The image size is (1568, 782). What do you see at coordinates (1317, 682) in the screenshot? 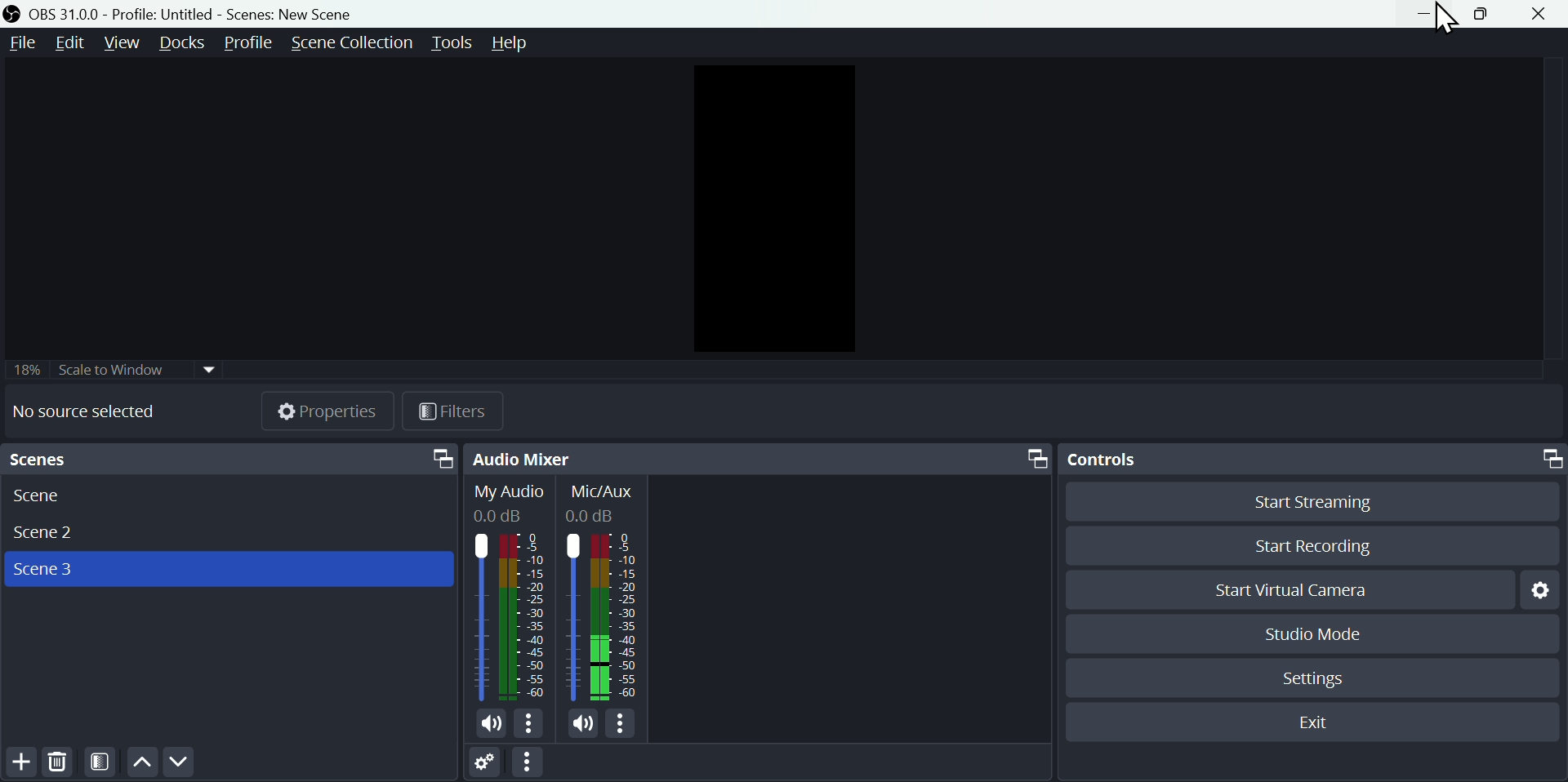
I see `Settings` at bounding box center [1317, 682].